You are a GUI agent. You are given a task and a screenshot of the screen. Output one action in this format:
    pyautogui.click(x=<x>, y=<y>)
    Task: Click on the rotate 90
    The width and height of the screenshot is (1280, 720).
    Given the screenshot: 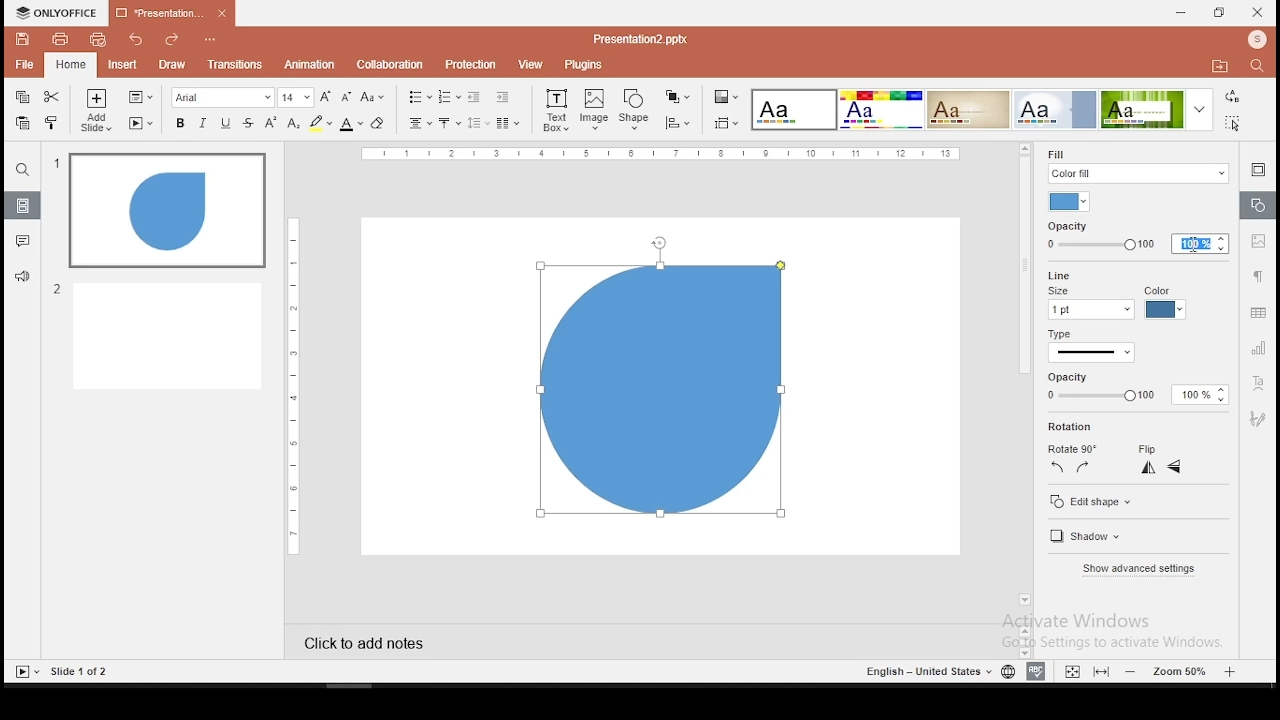 What is the action you would take?
    pyautogui.click(x=1071, y=449)
    